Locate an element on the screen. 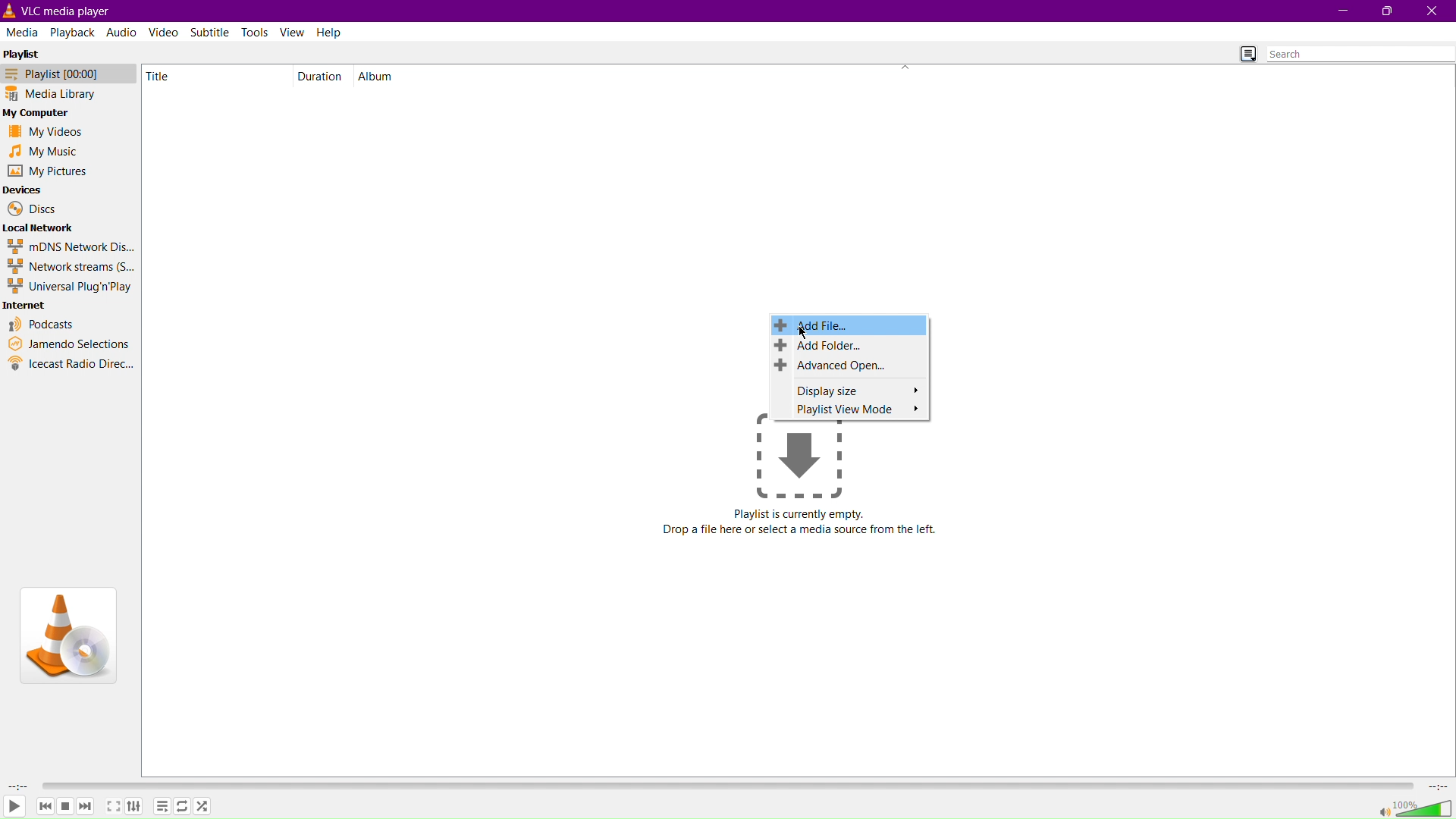 This screenshot has height=819, width=1456. Playlist is located at coordinates (162, 807).